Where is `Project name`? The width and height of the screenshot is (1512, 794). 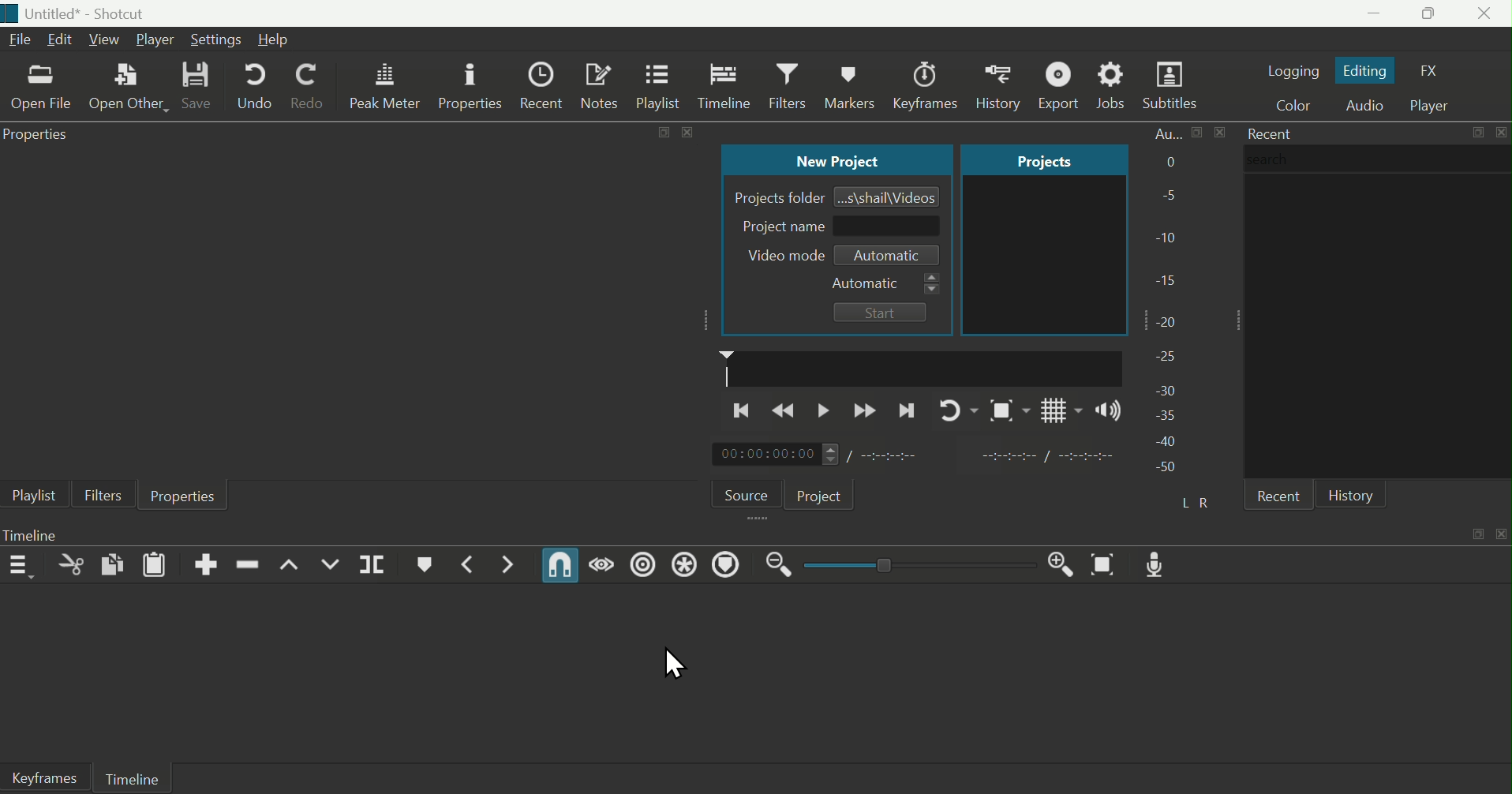 Project name is located at coordinates (836, 227).